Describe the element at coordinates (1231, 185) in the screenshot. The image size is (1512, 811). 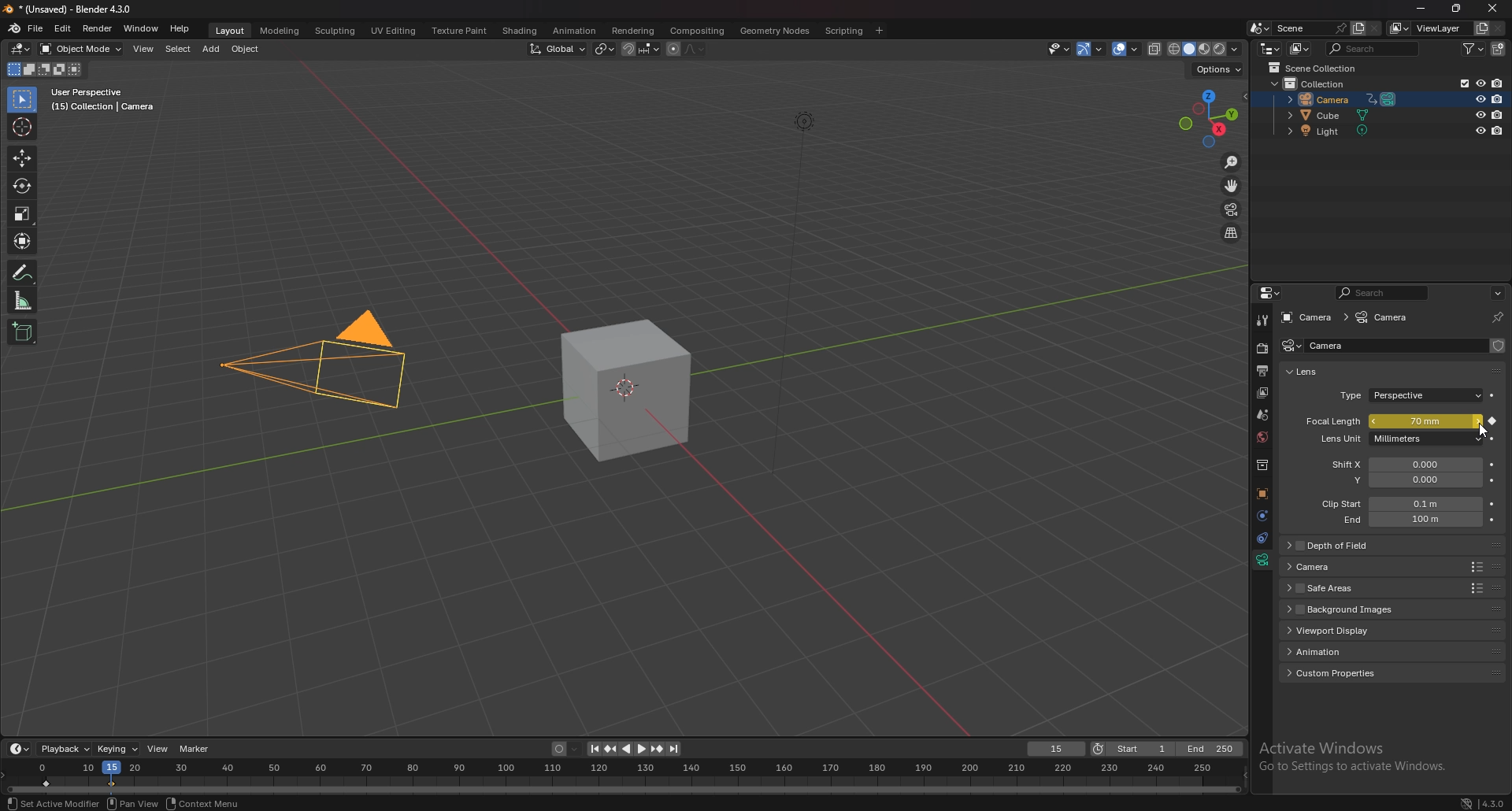
I see `move` at that location.